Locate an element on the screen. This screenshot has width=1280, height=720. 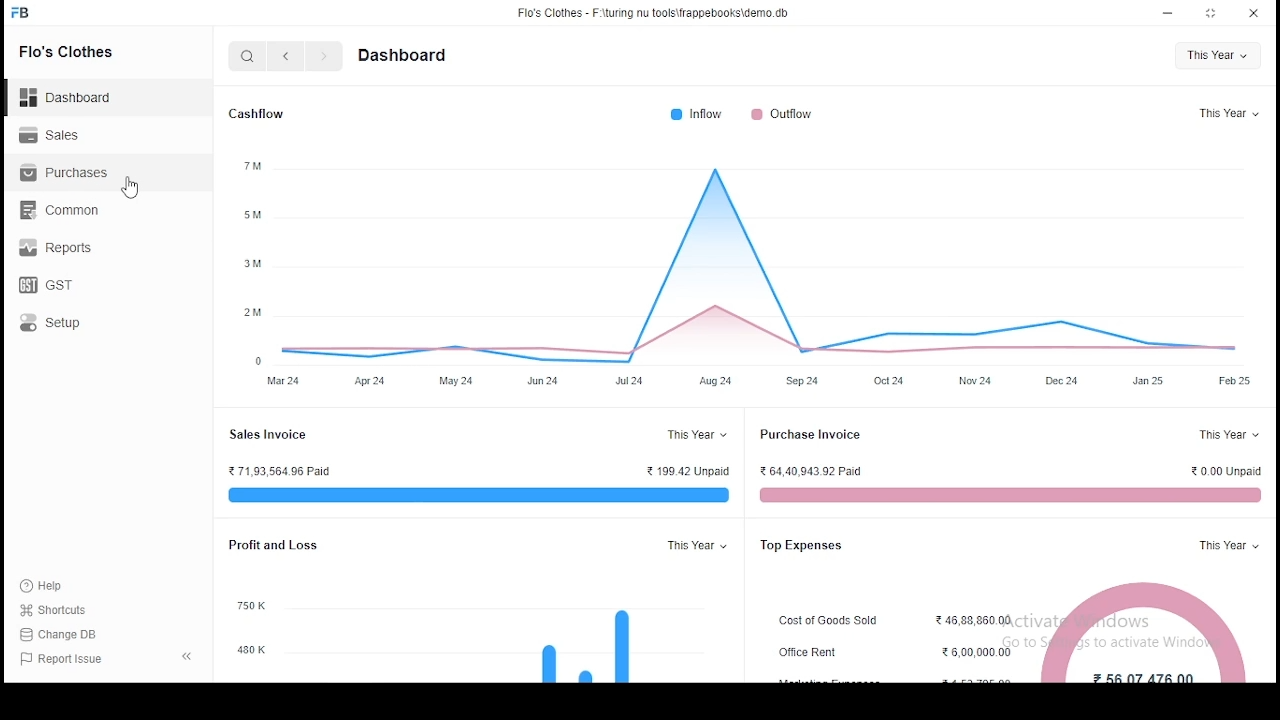
this year is located at coordinates (698, 434).